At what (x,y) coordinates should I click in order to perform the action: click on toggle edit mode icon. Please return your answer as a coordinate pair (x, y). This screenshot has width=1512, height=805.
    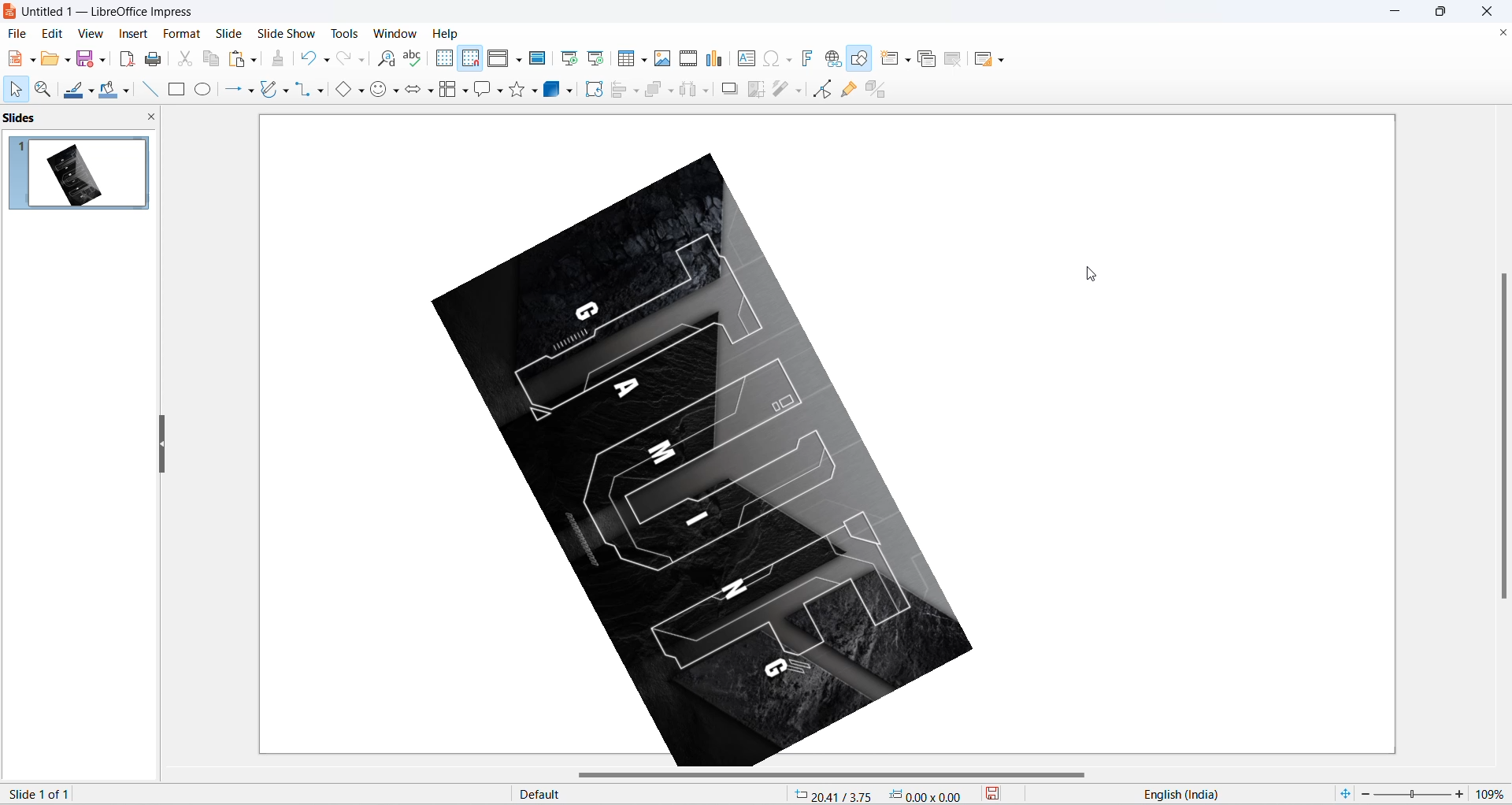
    Looking at the image, I should click on (825, 88).